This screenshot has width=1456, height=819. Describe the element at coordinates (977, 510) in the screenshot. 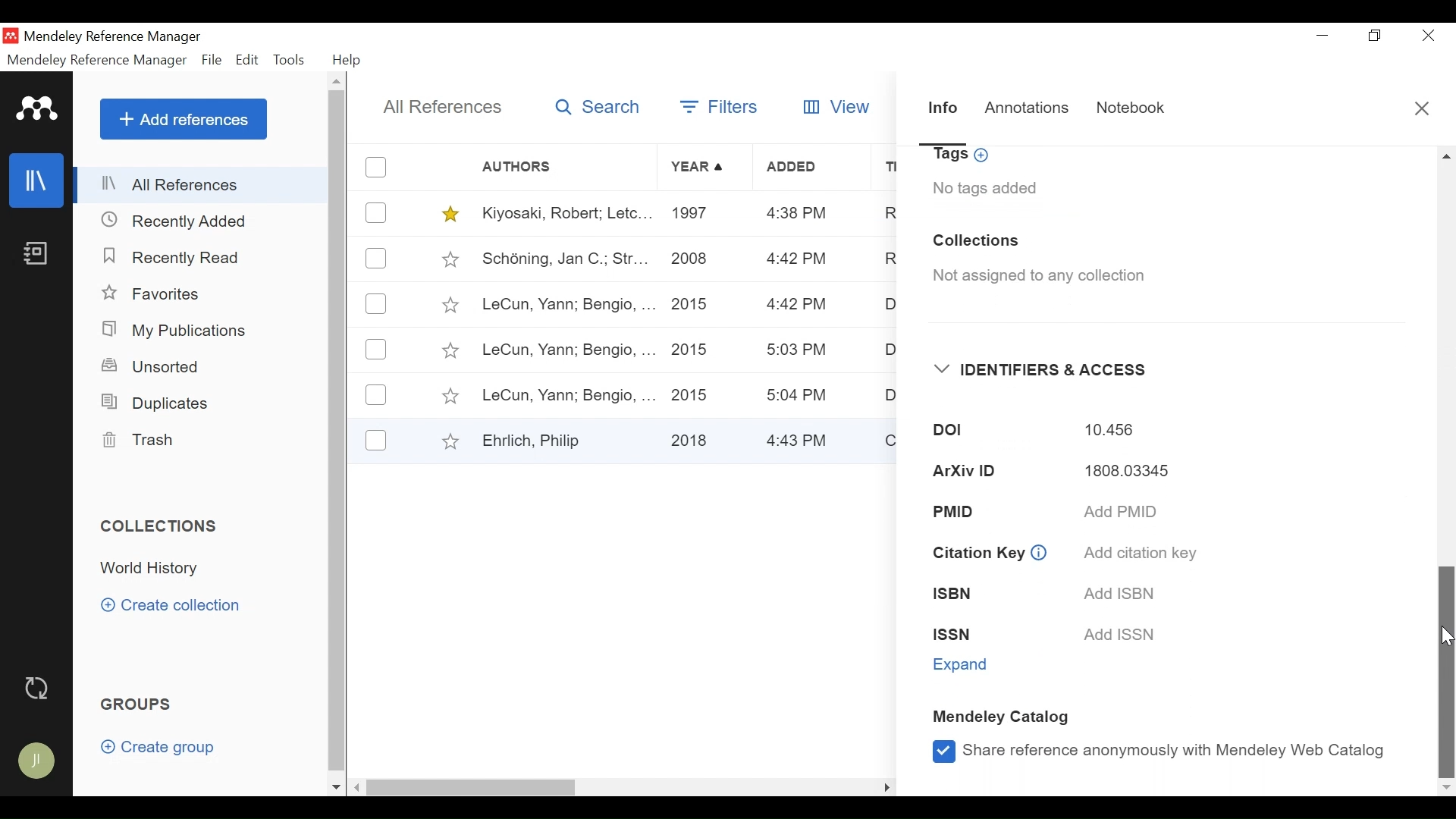

I see `PMID` at that location.